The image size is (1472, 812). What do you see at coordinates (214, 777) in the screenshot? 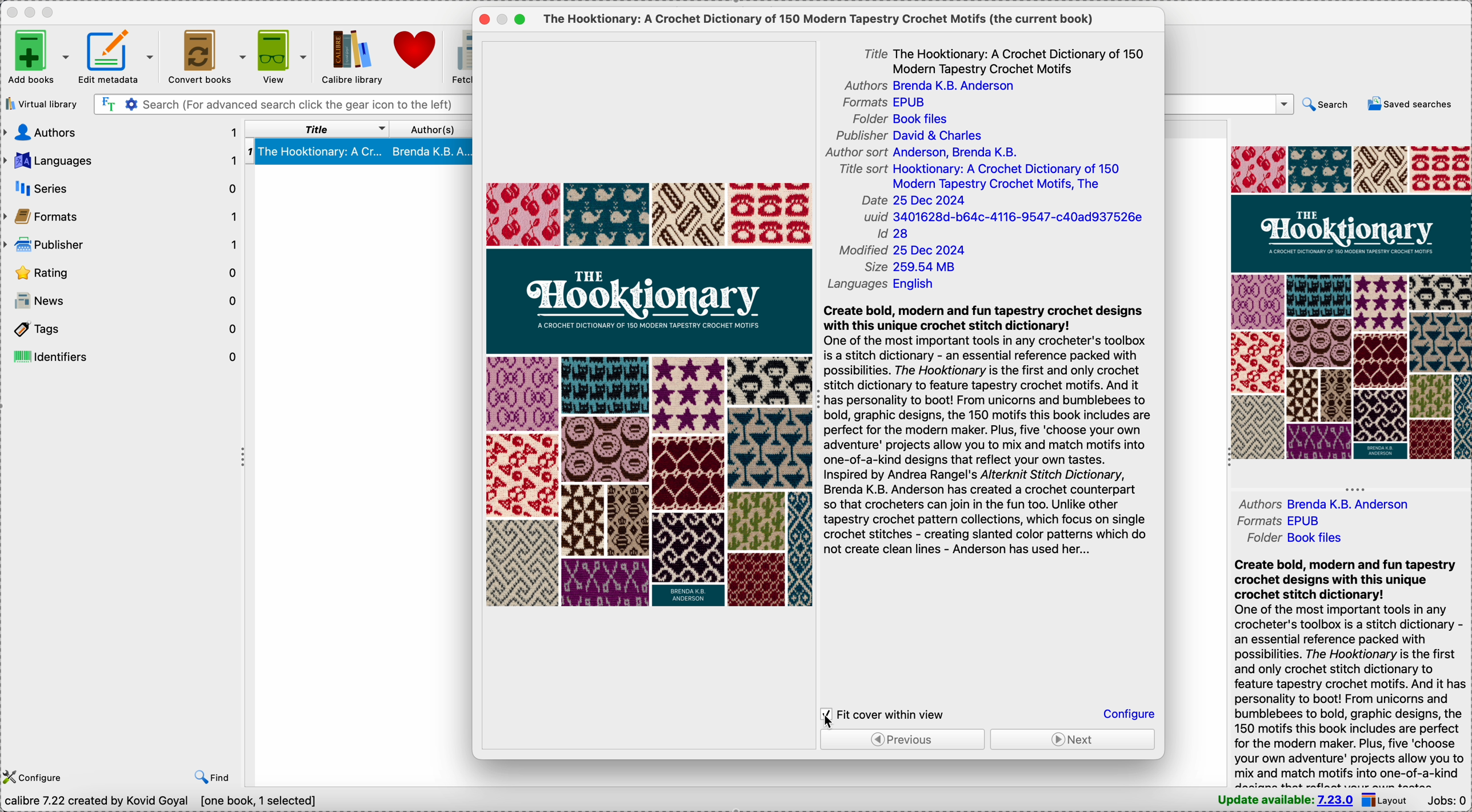
I see `find` at bounding box center [214, 777].